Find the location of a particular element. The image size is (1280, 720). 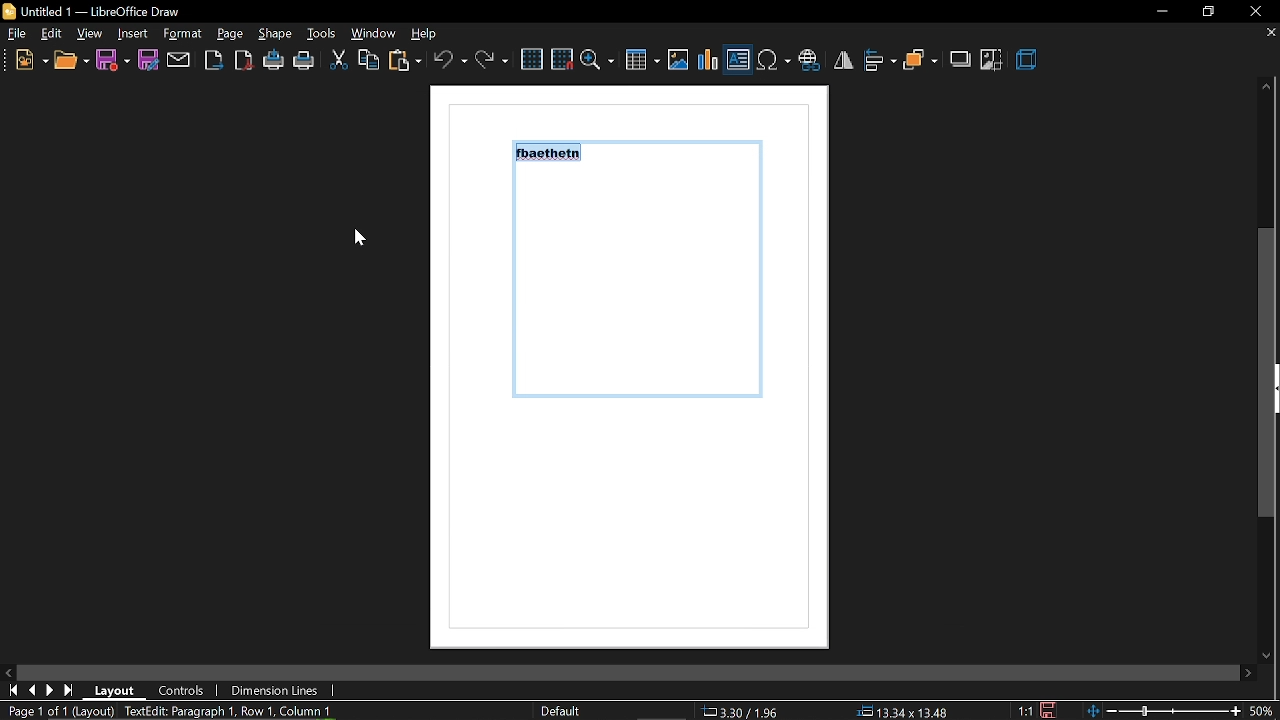

print is located at coordinates (304, 63).